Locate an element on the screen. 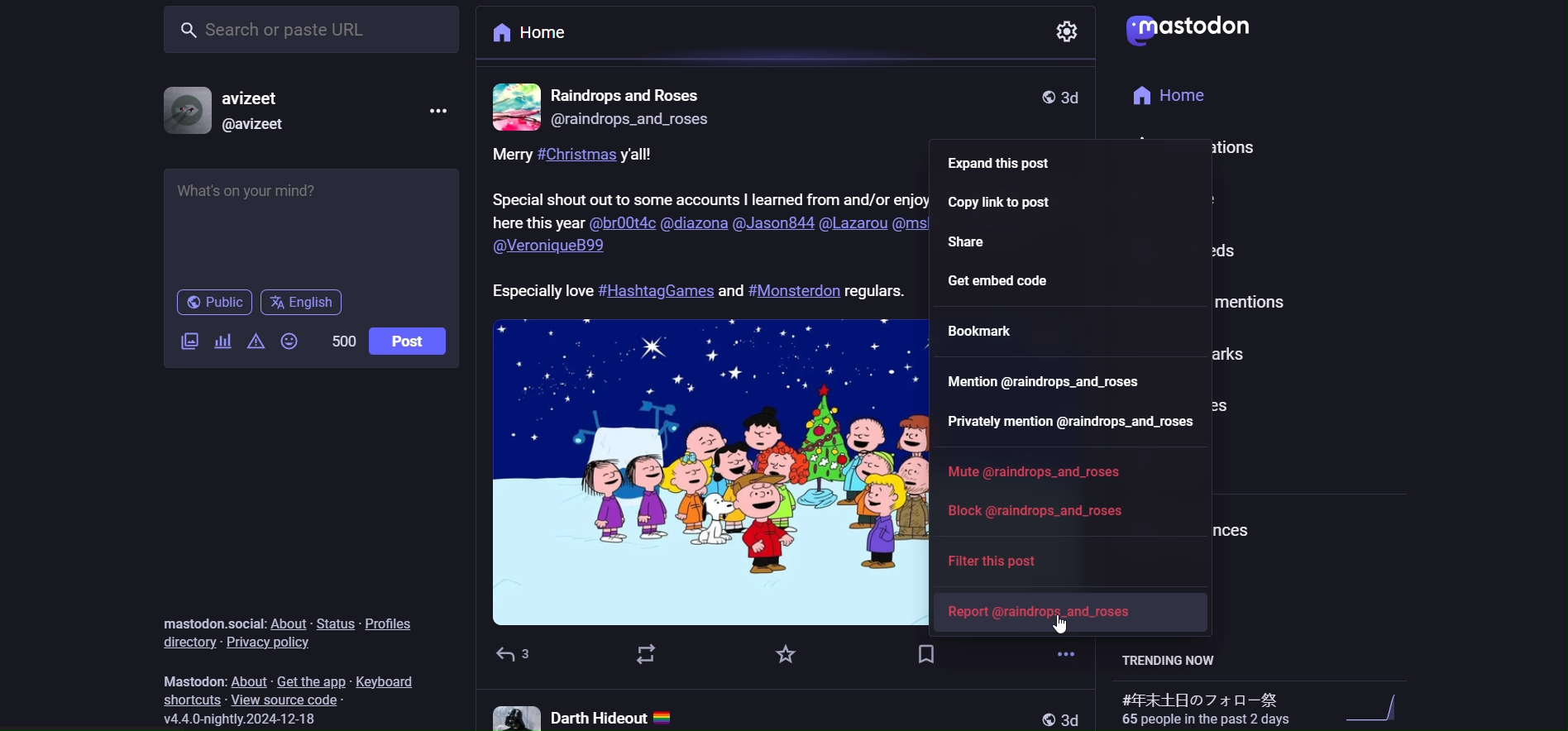 The height and width of the screenshot is (731, 1568). home is located at coordinates (537, 36).